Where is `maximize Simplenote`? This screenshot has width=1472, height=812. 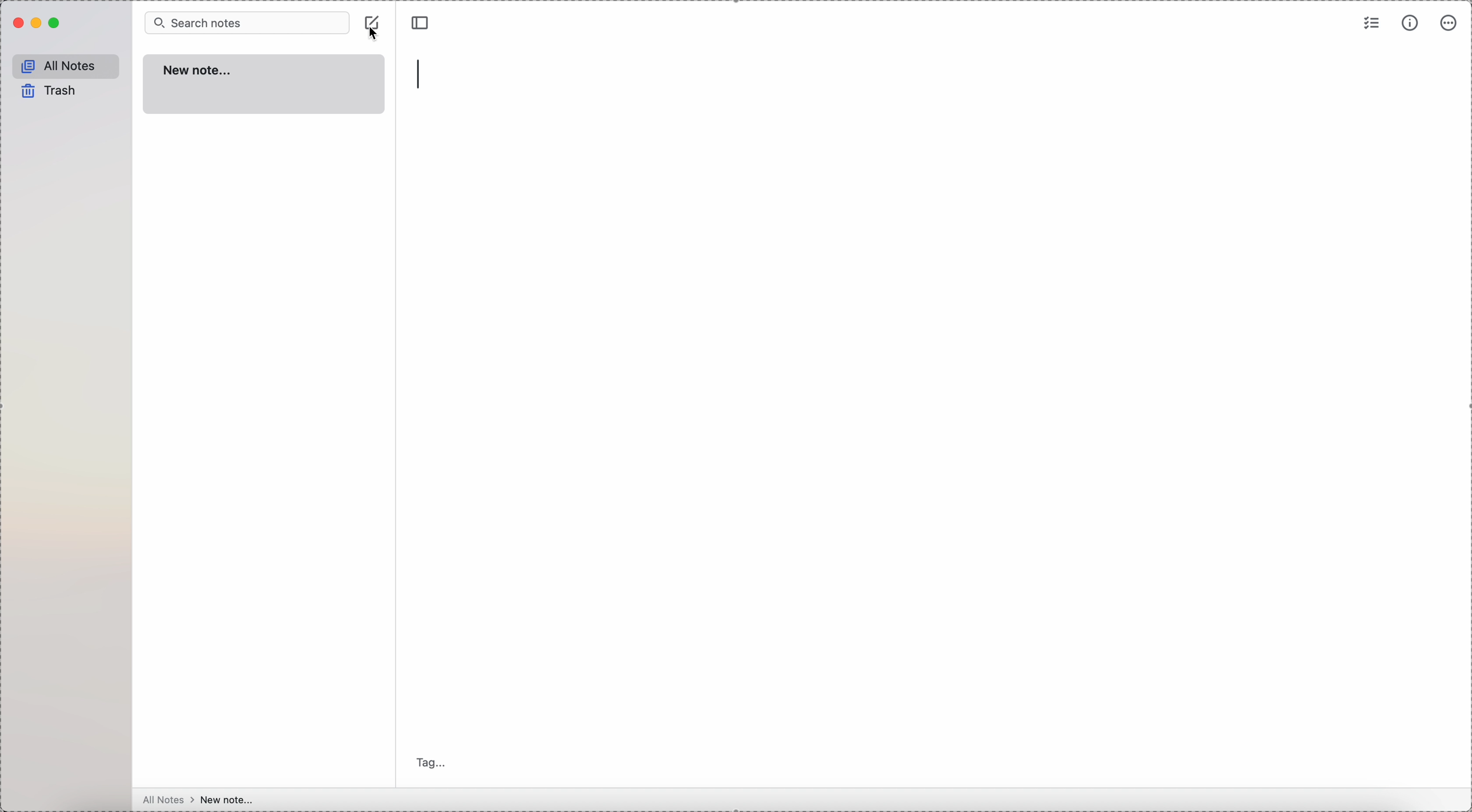 maximize Simplenote is located at coordinates (55, 23).